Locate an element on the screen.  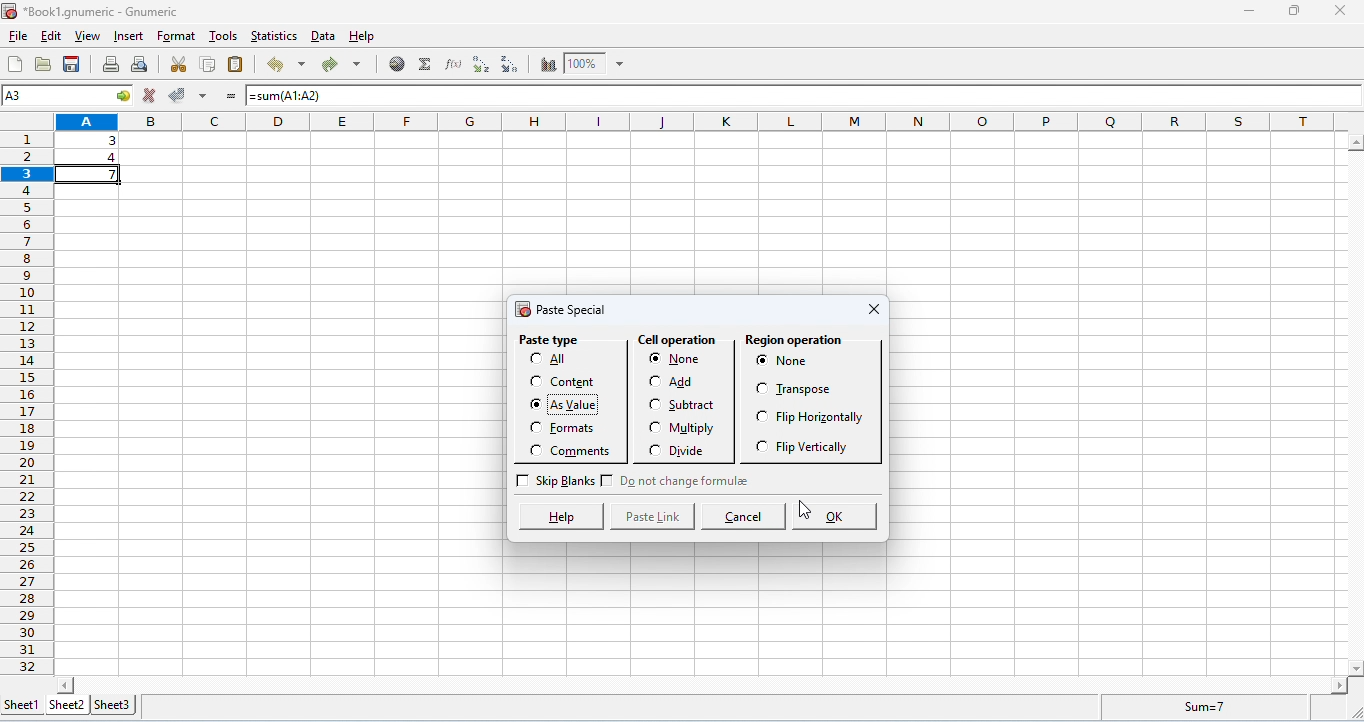
accept multiple is located at coordinates (204, 97).